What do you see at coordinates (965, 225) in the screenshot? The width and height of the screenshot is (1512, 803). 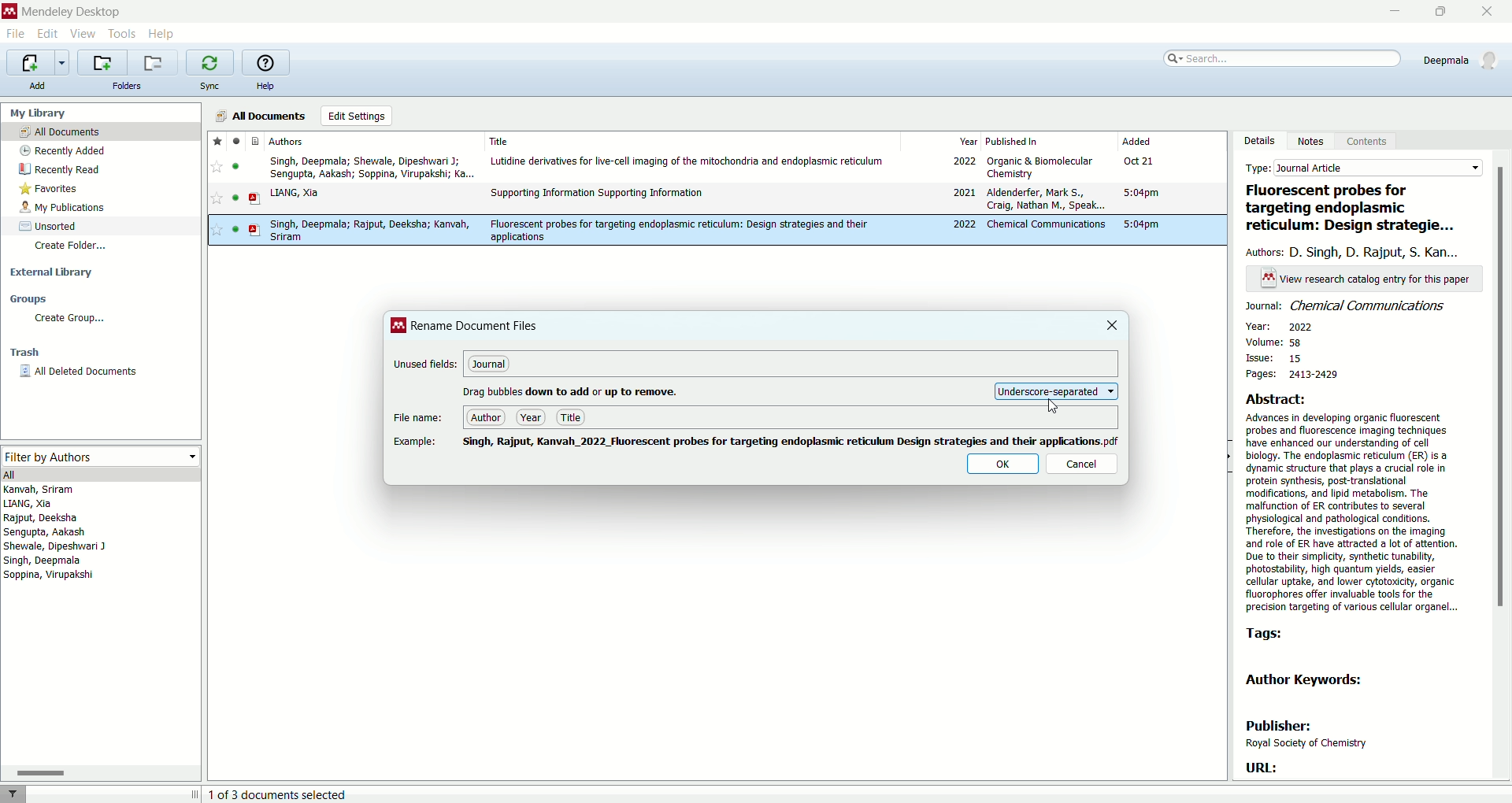 I see `2022` at bounding box center [965, 225].